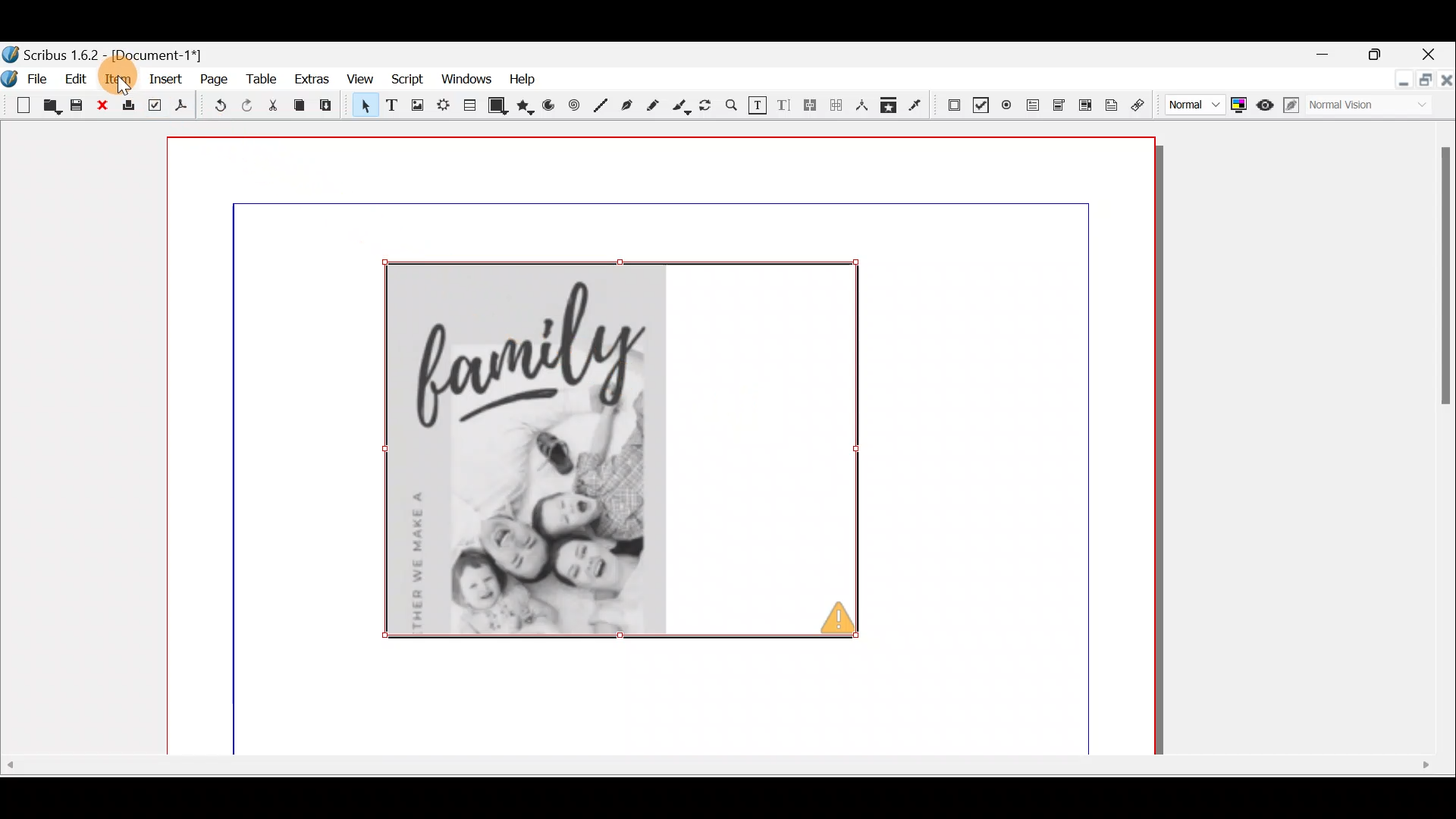 The image size is (1456, 819). I want to click on Scroll bar, so click(1434, 444).